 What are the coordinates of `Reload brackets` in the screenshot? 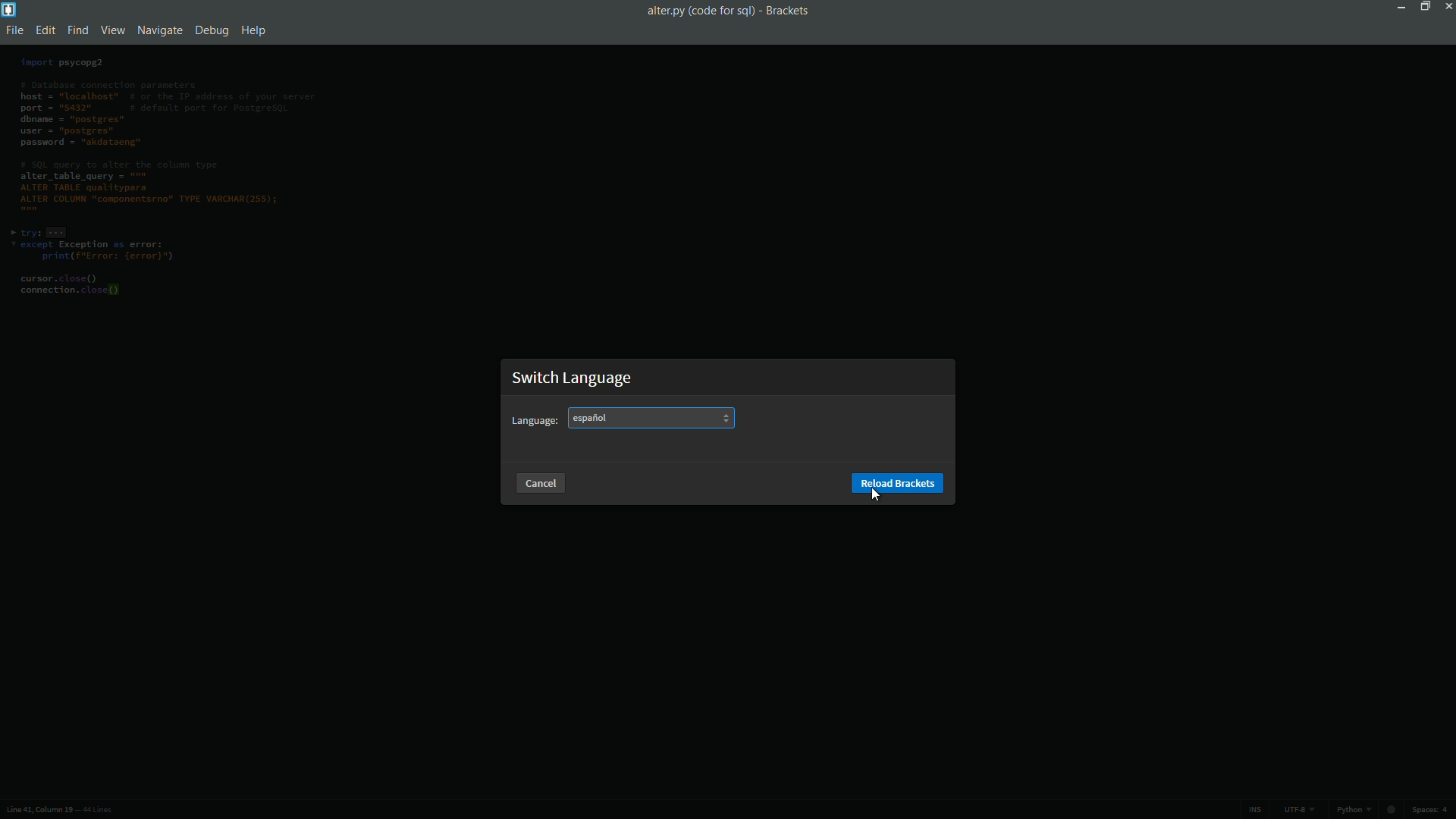 It's located at (896, 482).